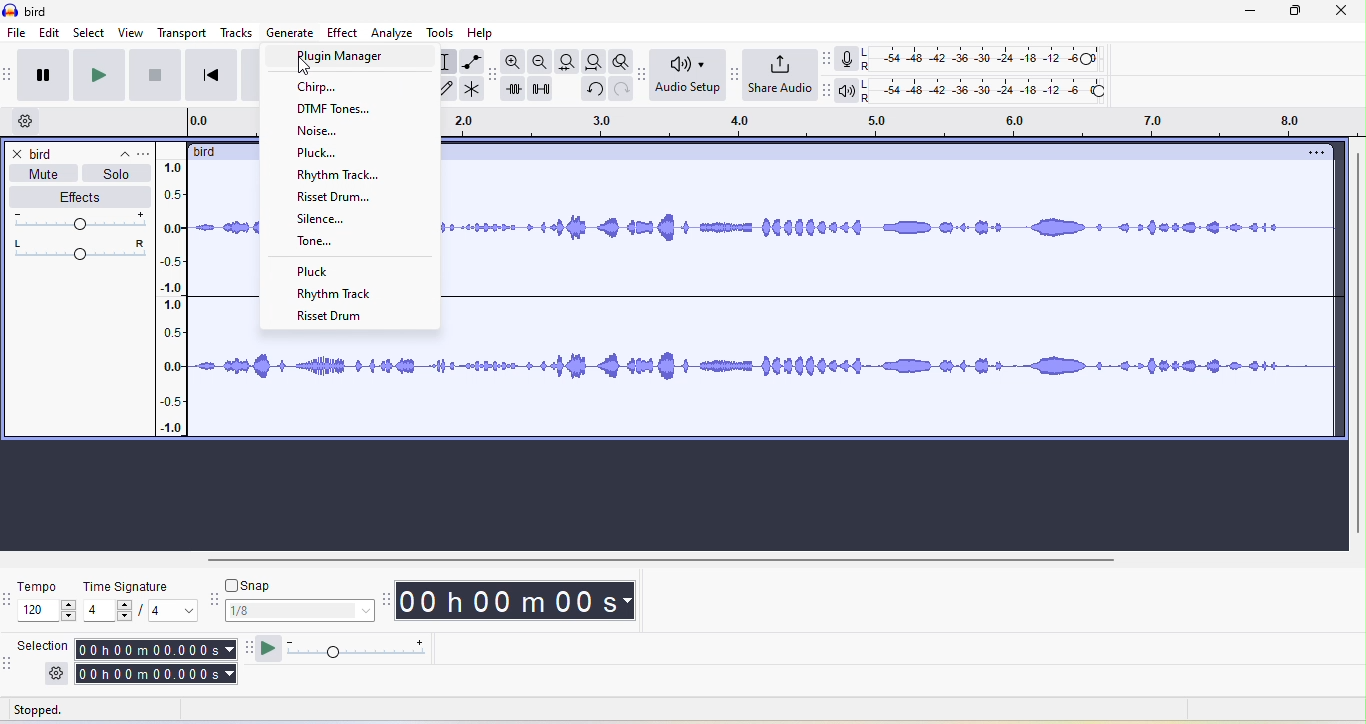 This screenshot has height=724, width=1366. What do you see at coordinates (54, 35) in the screenshot?
I see `edit` at bounding box center [54, 35].